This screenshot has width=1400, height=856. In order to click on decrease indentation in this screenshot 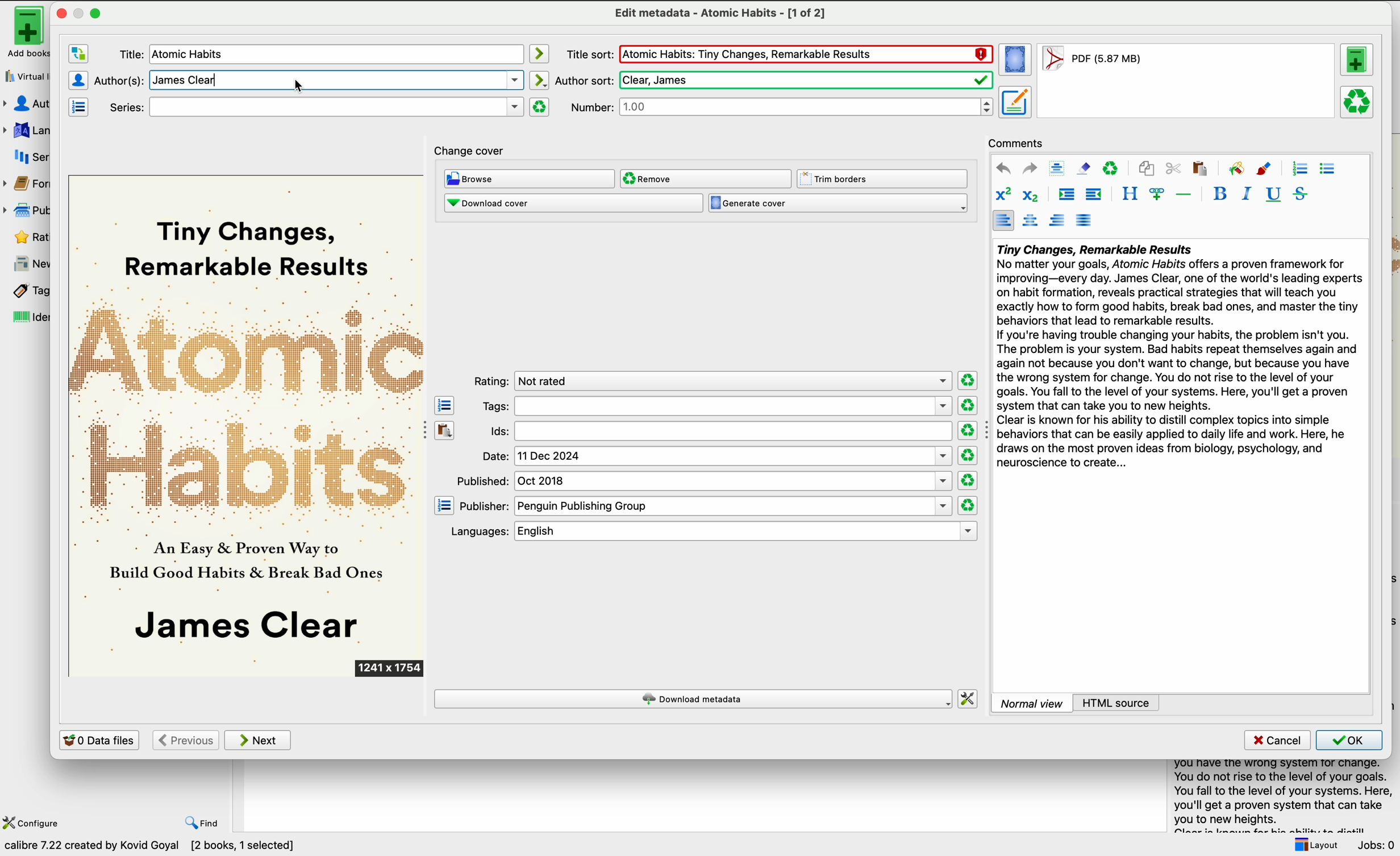, I will do `click(1095, 195)`.